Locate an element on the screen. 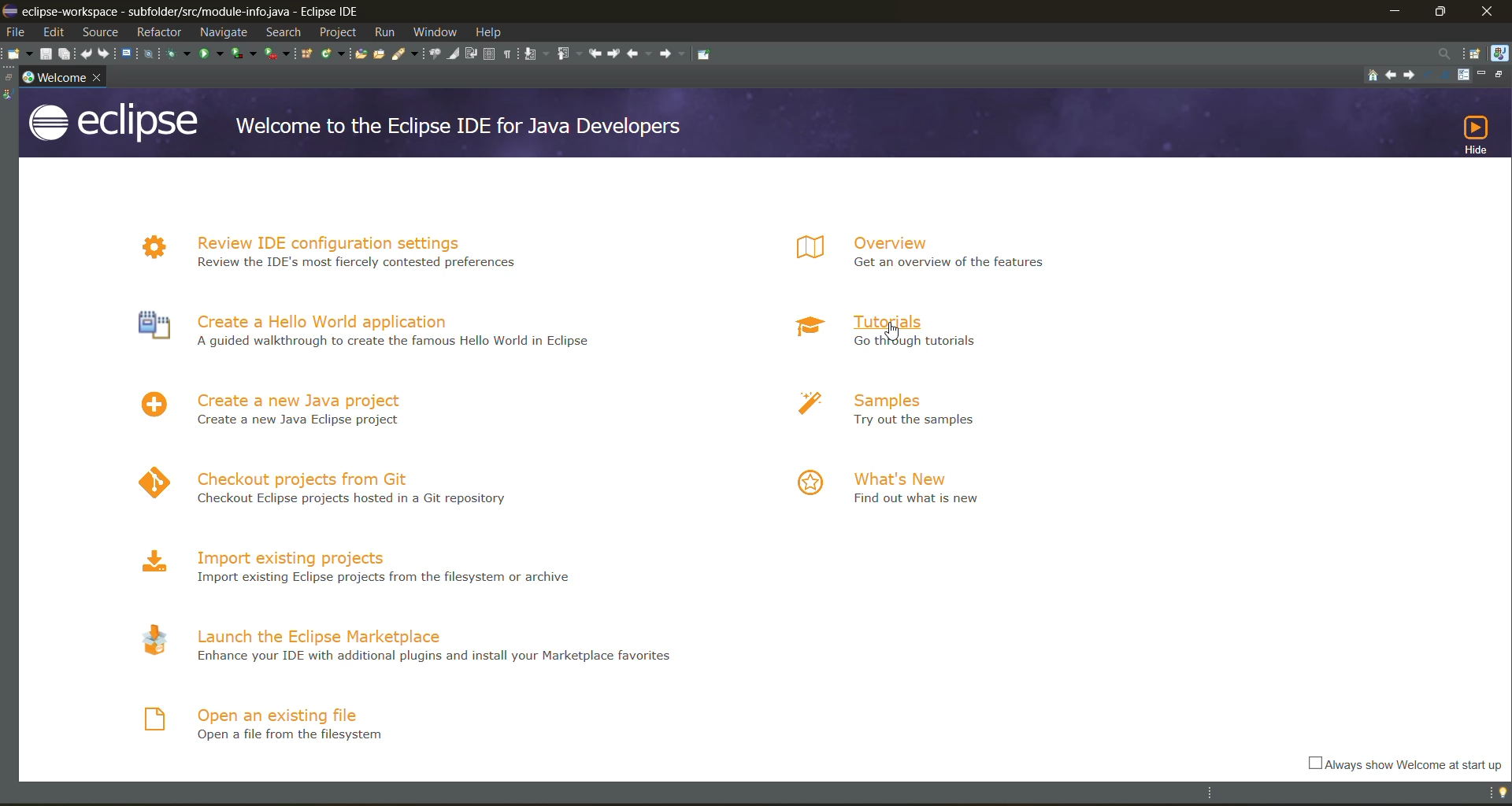 This screenshot has width=1512, height=806. java is located at coordinates (1499, 53).